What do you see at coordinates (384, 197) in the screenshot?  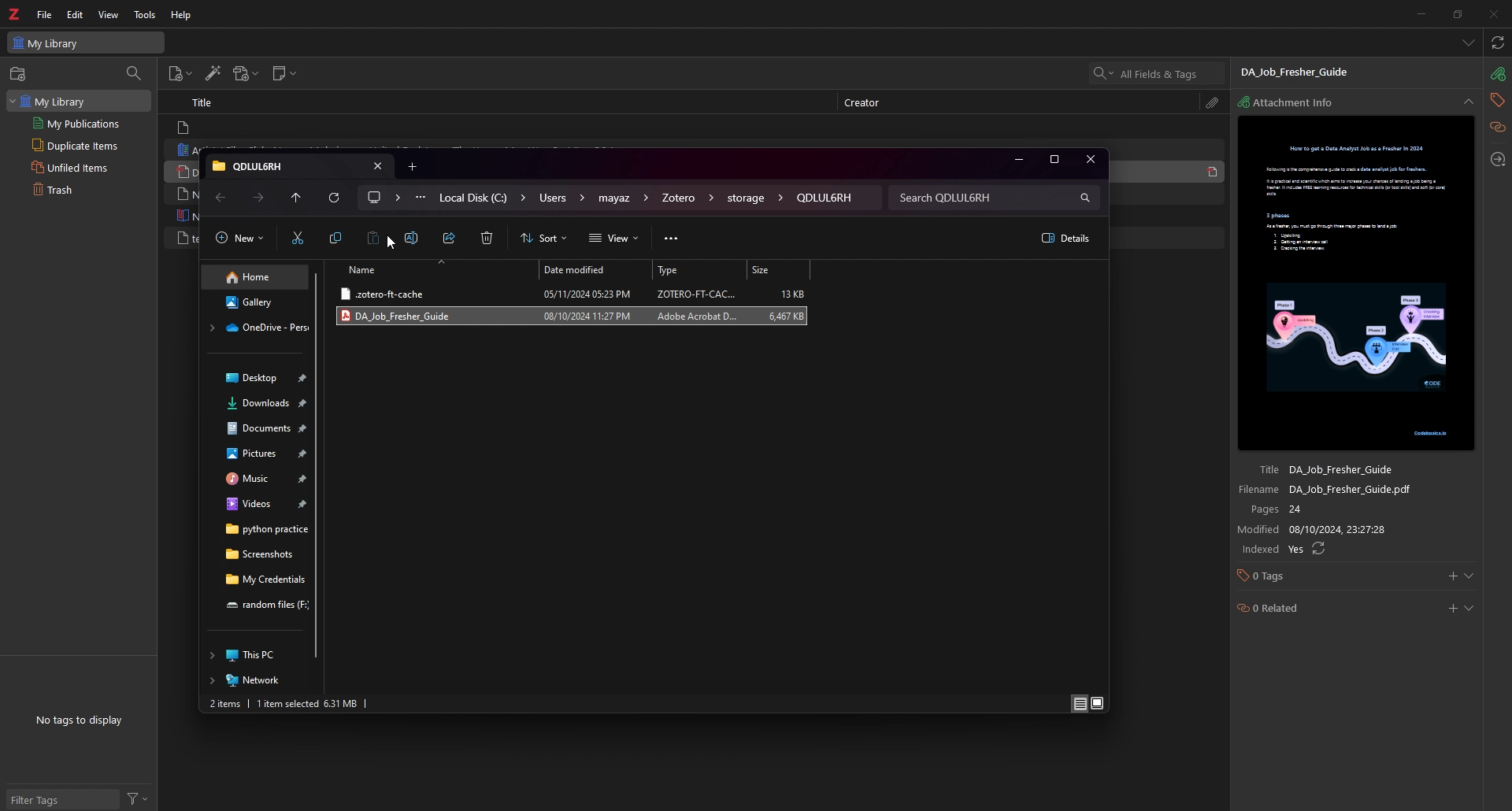 I see `folder` at bounding box center [384, 197].